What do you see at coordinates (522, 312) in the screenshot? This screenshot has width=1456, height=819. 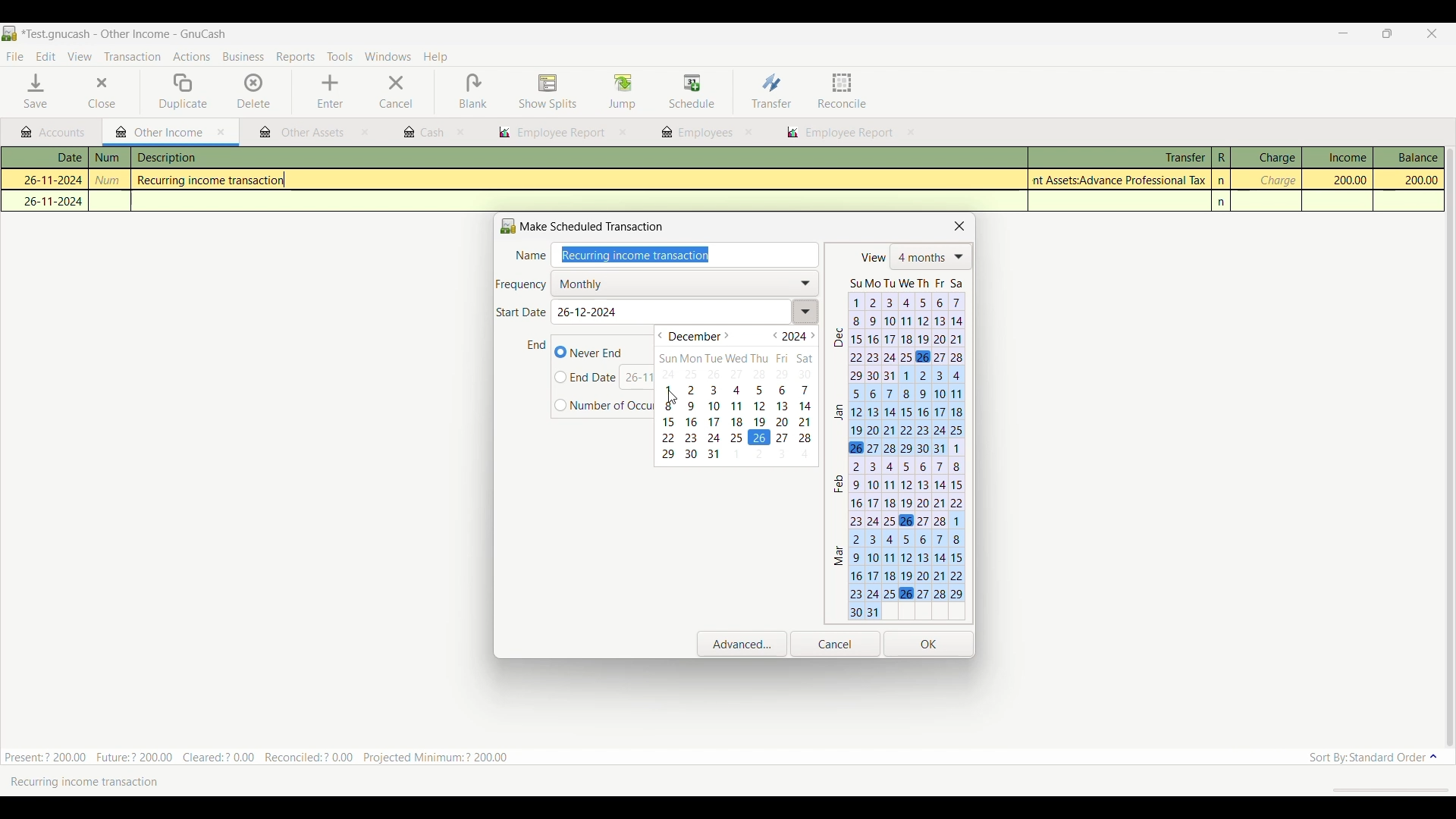 I see `Indicates Start date of transaction` at bounding box center [522, 312].